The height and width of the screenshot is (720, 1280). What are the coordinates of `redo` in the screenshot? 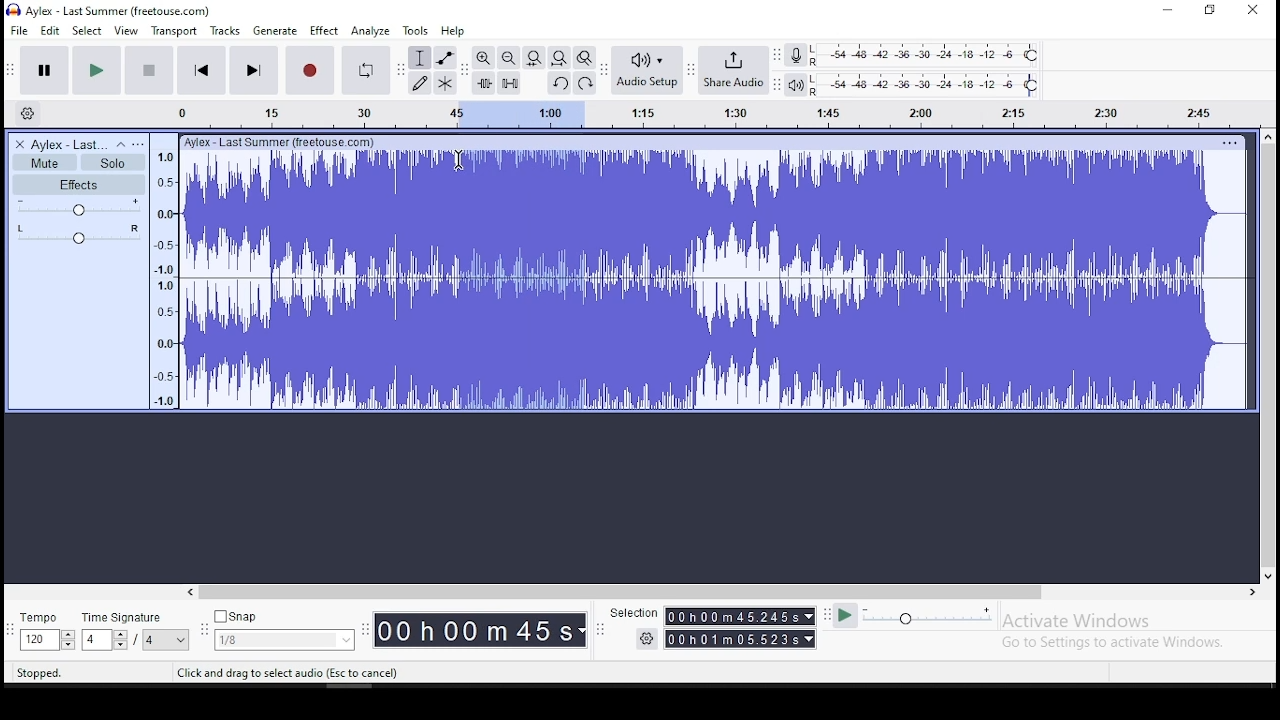 It's located at (586, 82).